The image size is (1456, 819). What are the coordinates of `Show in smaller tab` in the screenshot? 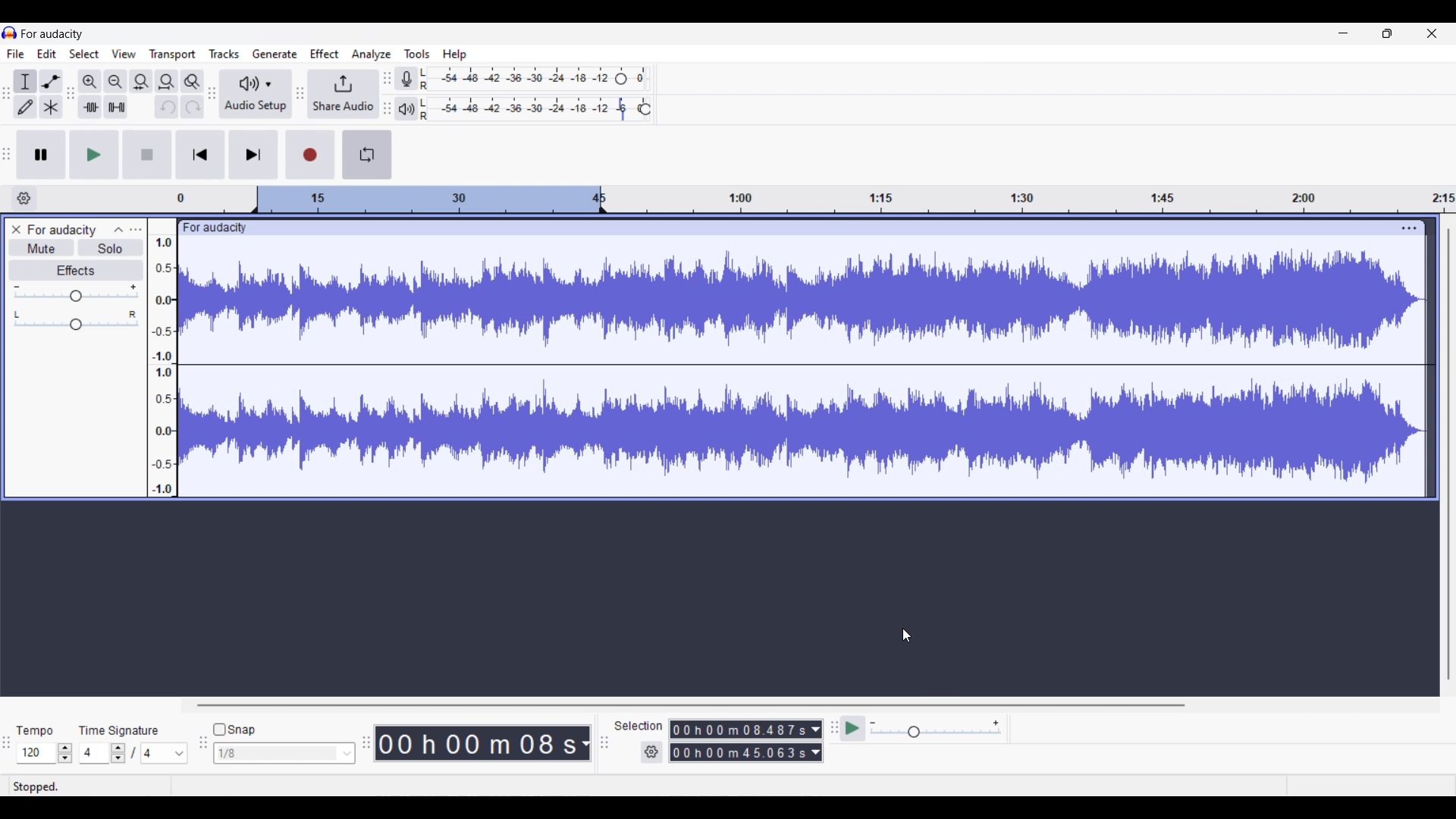 It's located at (1387, 33).